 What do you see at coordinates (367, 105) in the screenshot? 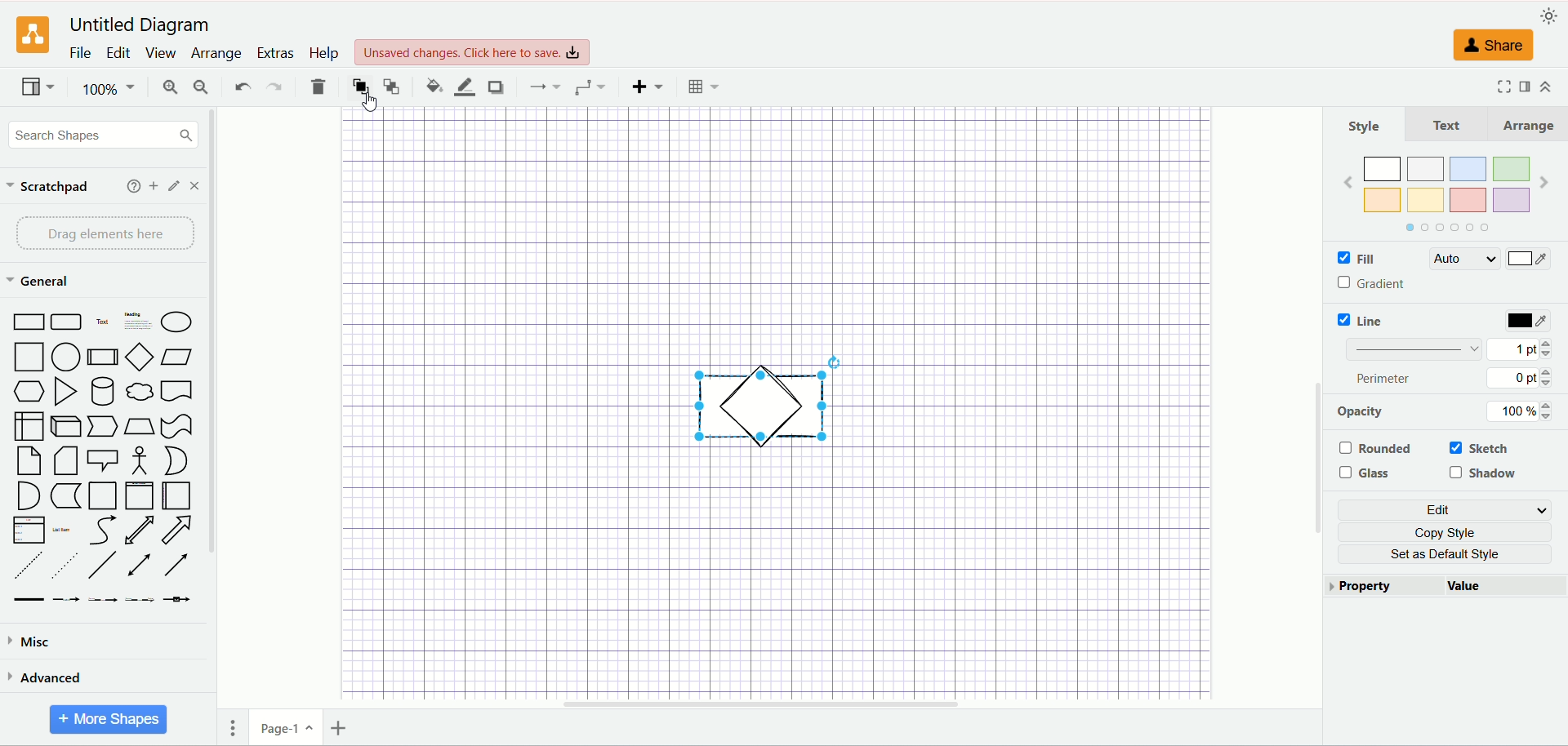
I see `cursor` at bounding box center [367, 105].